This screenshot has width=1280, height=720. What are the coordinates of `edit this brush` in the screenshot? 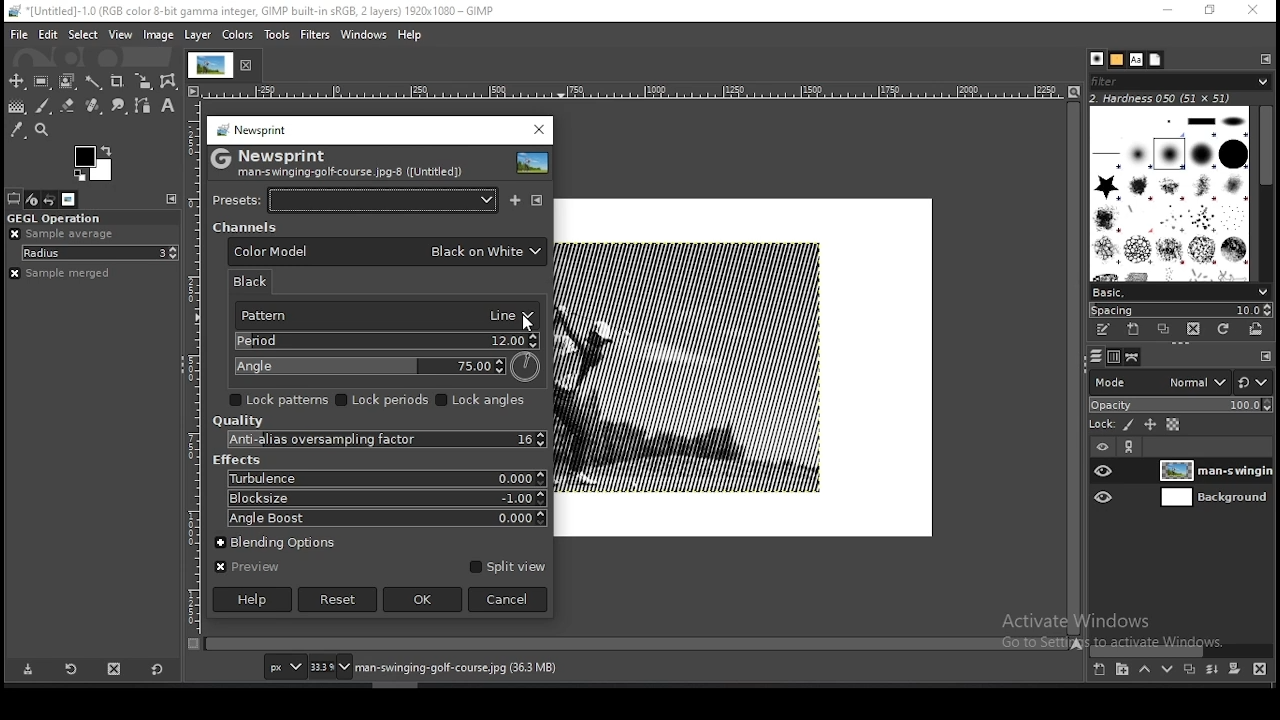 It's located at (1104, 331).